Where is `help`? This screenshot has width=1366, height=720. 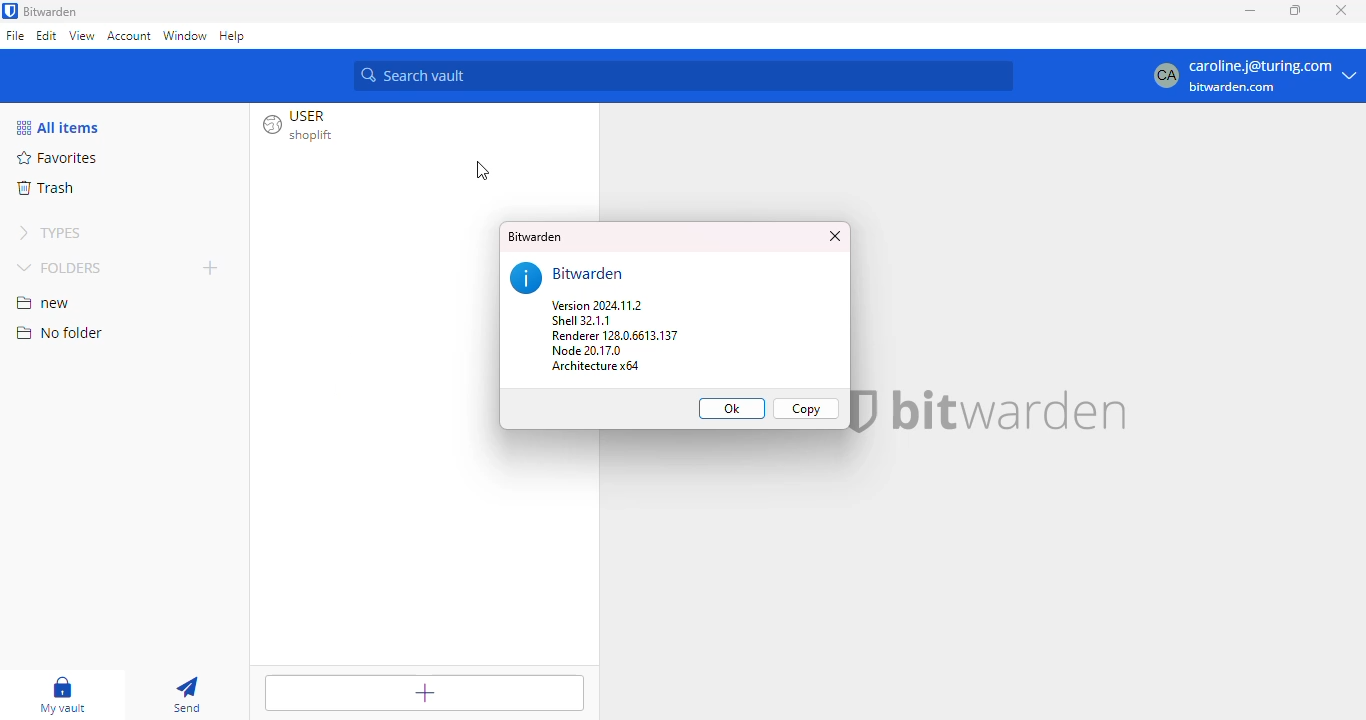 help is located at coordinates (233, 36).